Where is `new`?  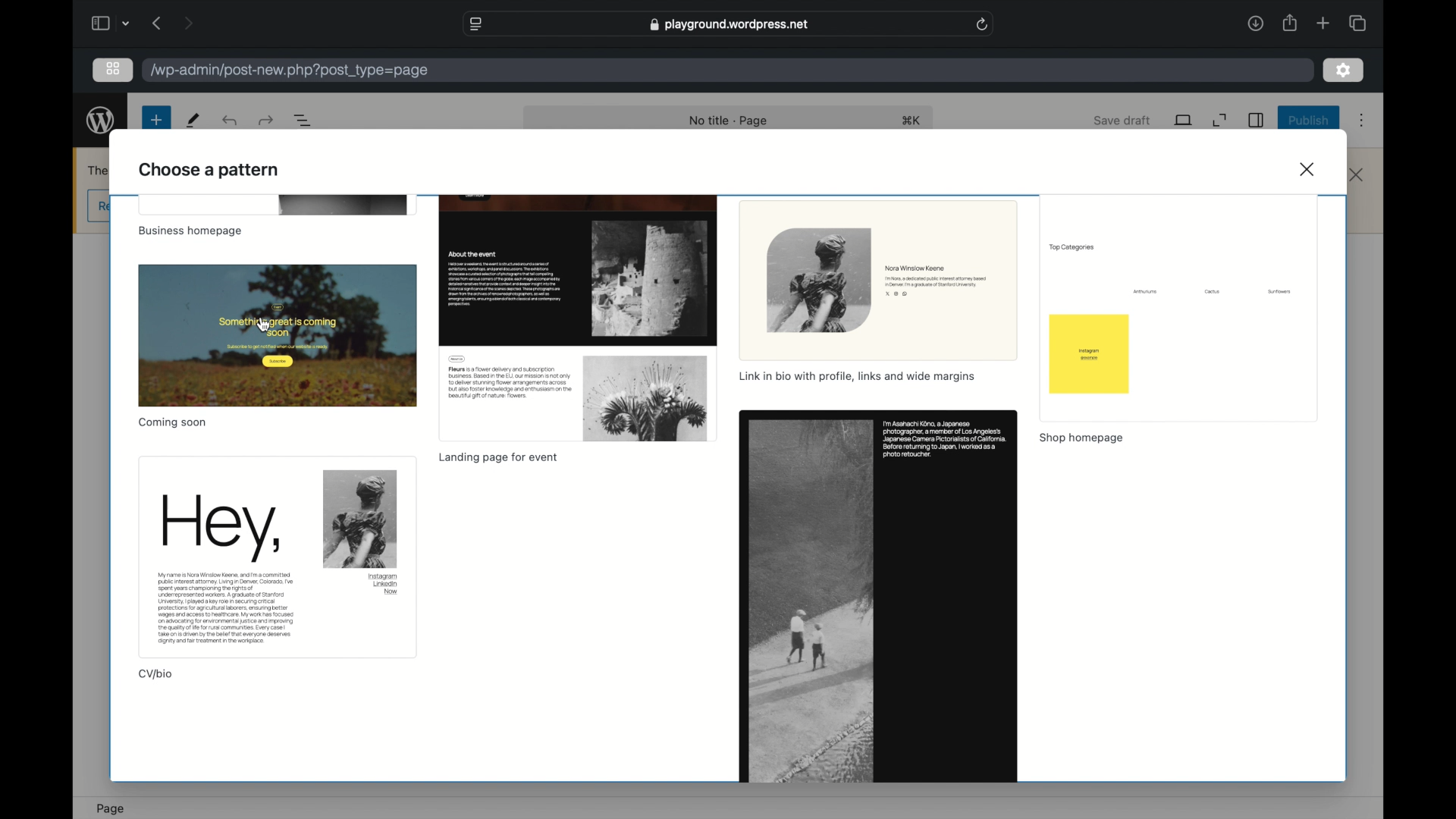
new is located at coordinates (155, 121).